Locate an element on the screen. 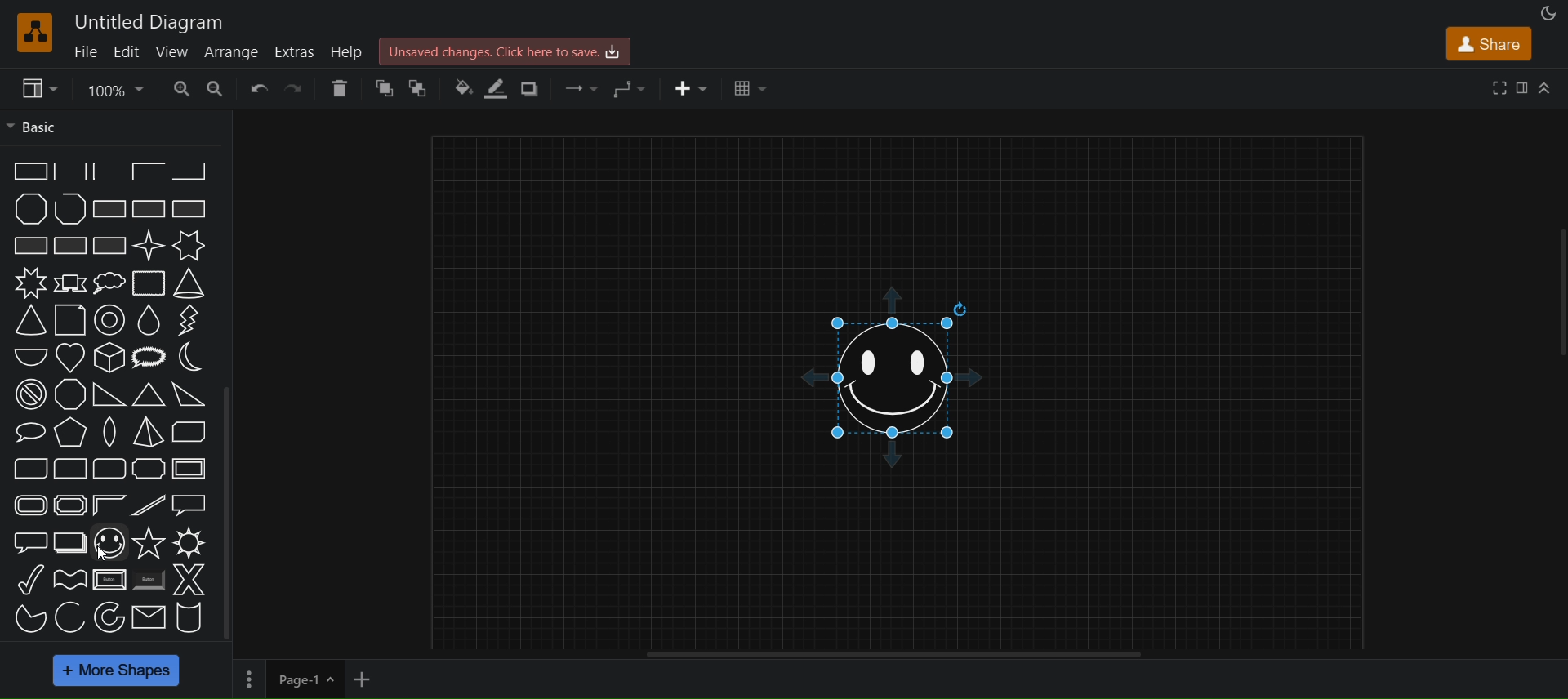  options is located at coordinates (247, 680).